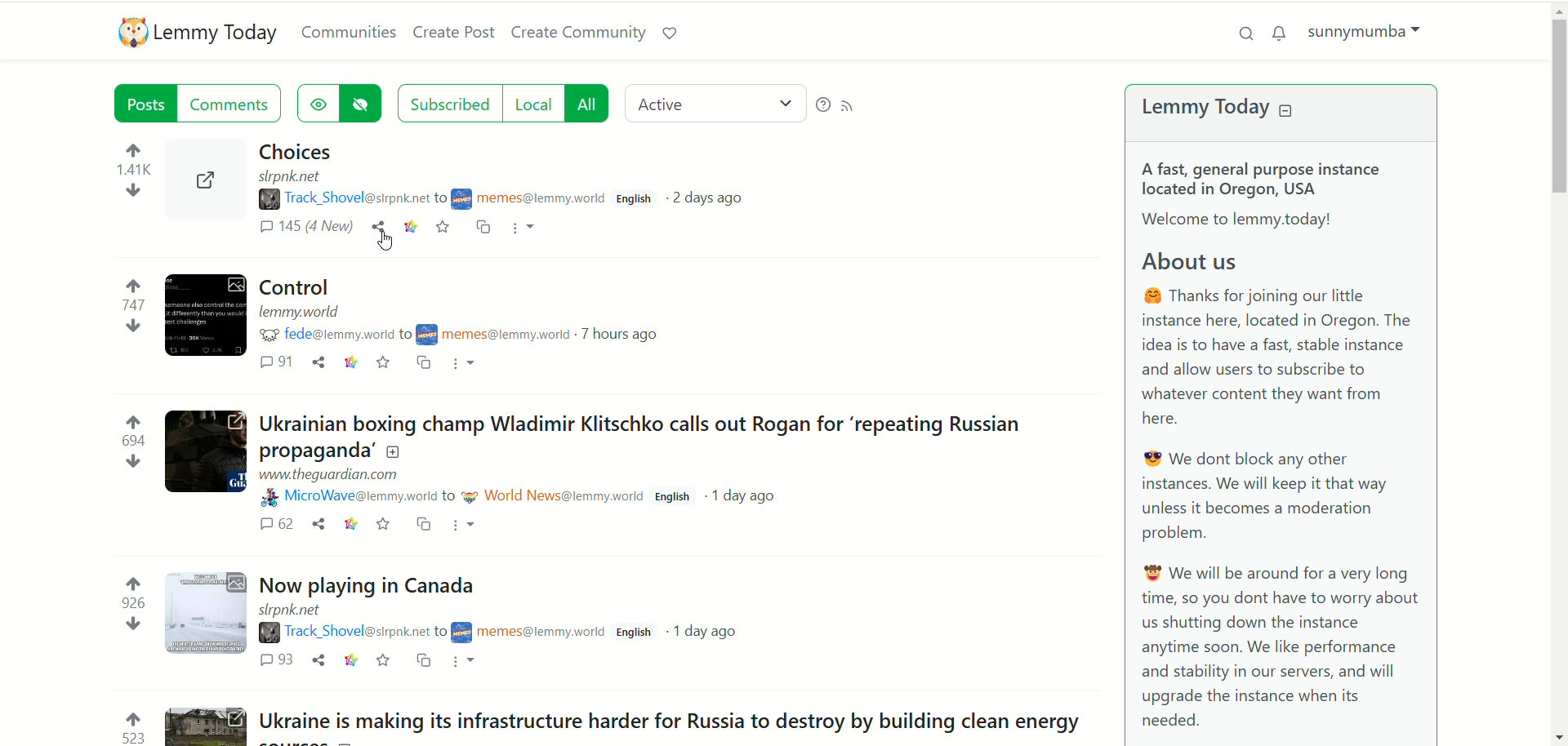 The image size is (1568, 746). Describe the element at coordinates (717, 105) in the screenshot. I see `active` at that location.